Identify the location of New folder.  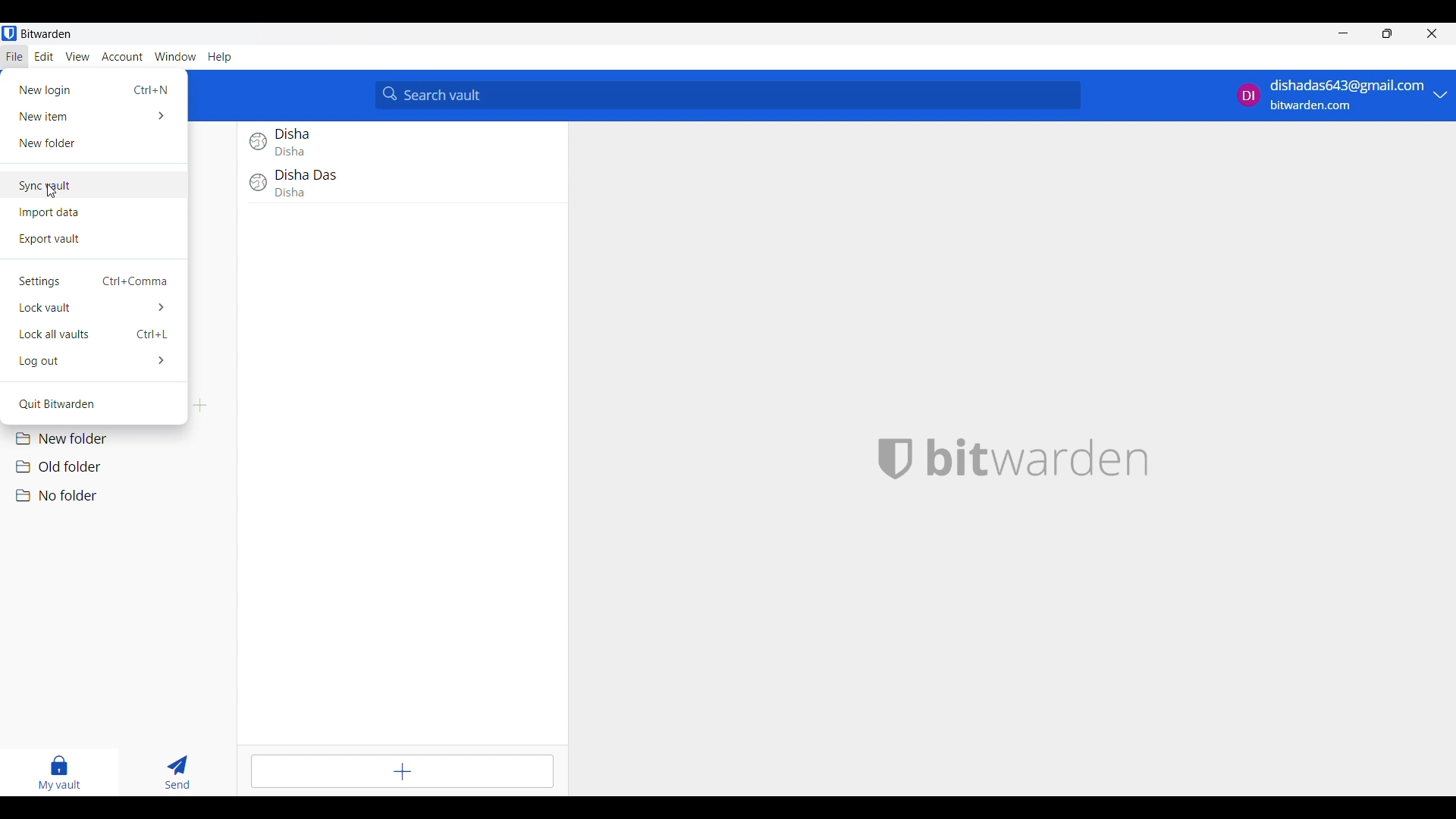
(121, 439).